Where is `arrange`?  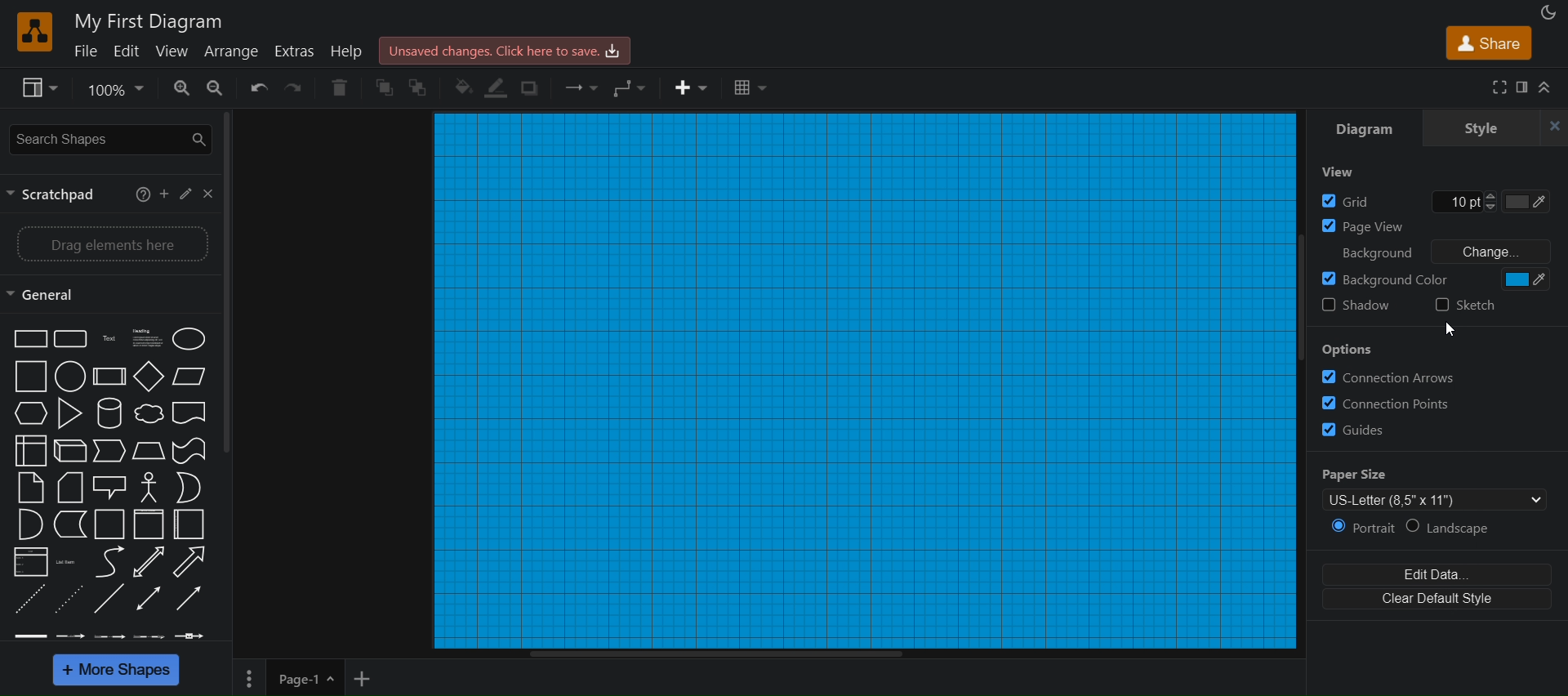 arrange is located at coordinates (236, 53).